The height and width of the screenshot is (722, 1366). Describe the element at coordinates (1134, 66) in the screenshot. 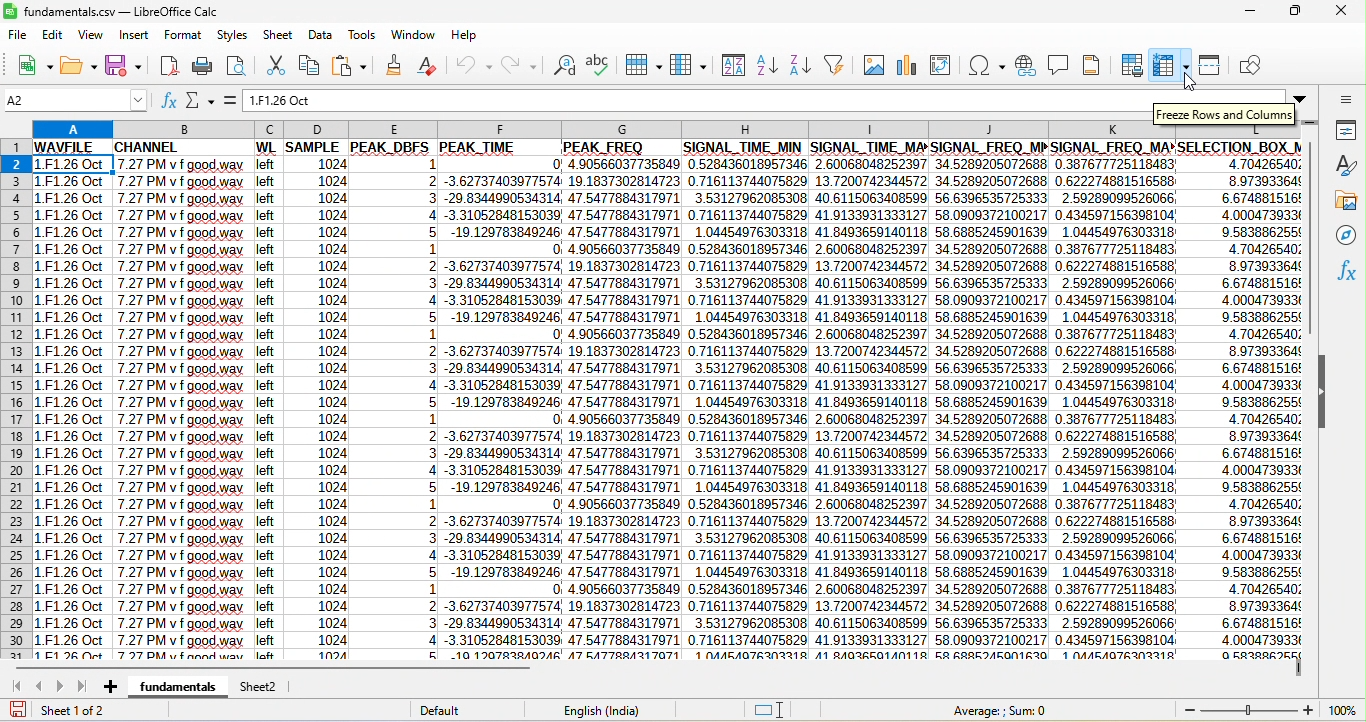

I see `print area` at that location.